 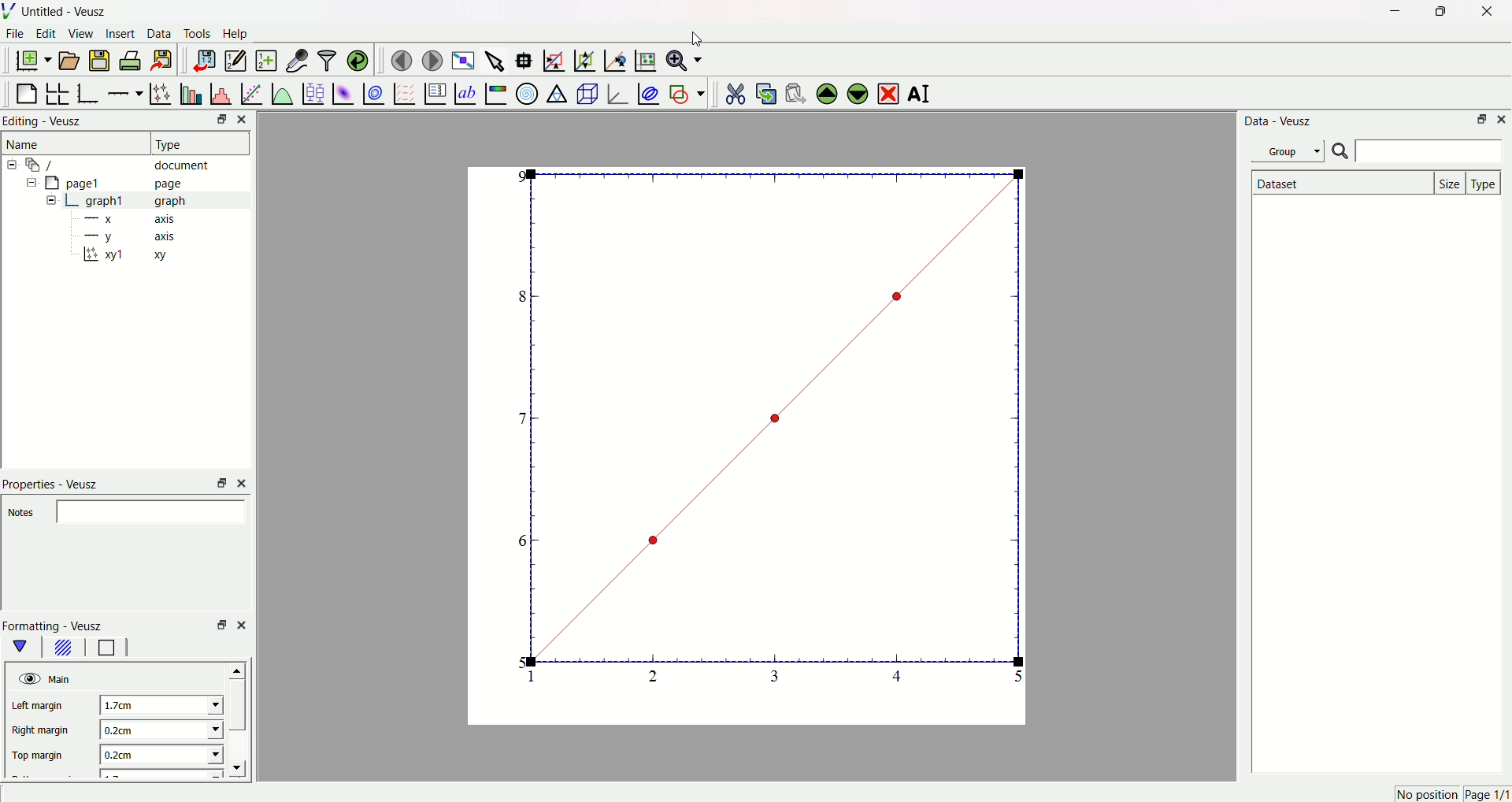 I want to click on File, so click(x=17, y=35).